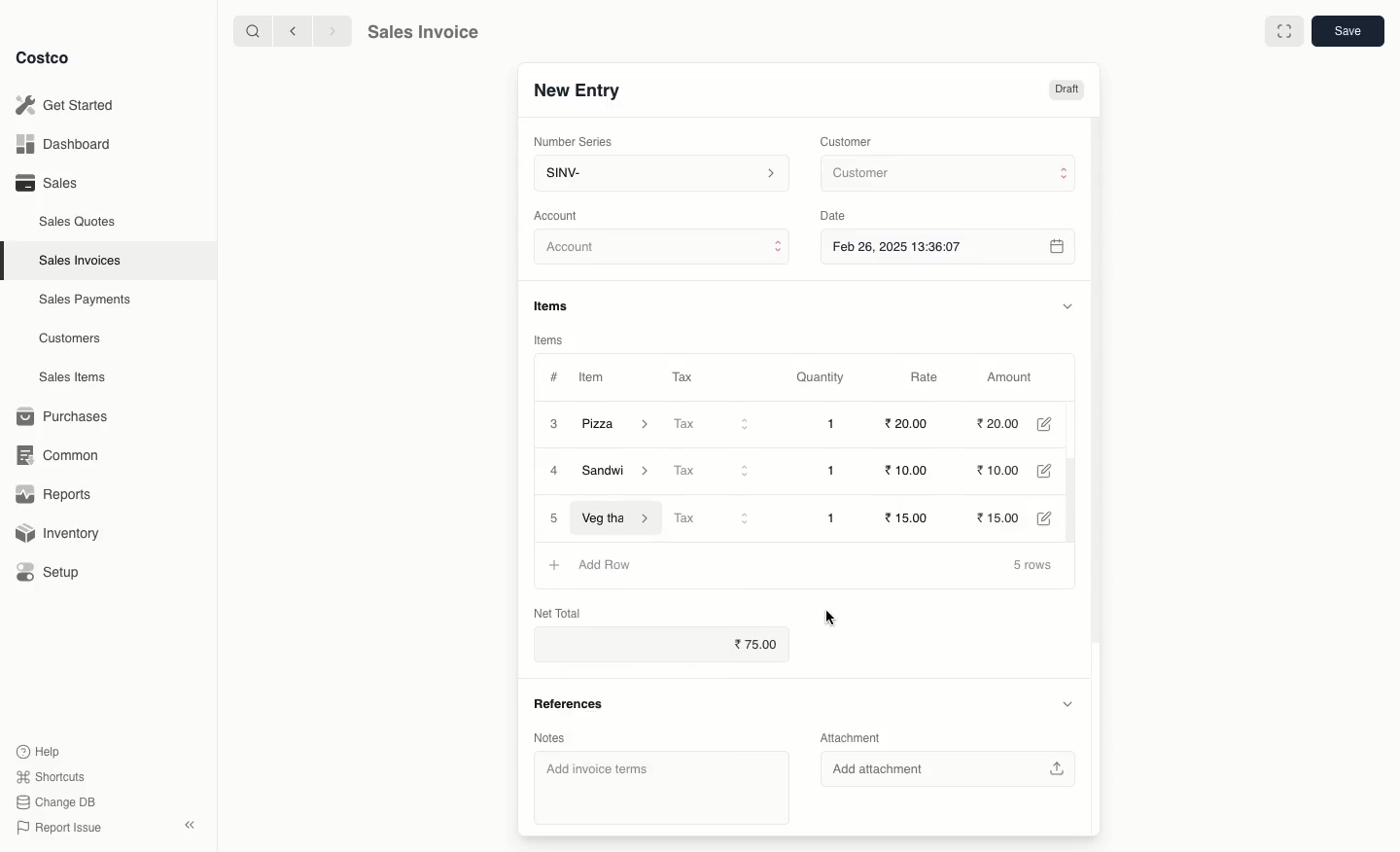 This screenshot has height=852, width=1400. What do you see at coordinates (714, 425) in the screenshot?
I see `Tax` at bounding box center [714, 425].